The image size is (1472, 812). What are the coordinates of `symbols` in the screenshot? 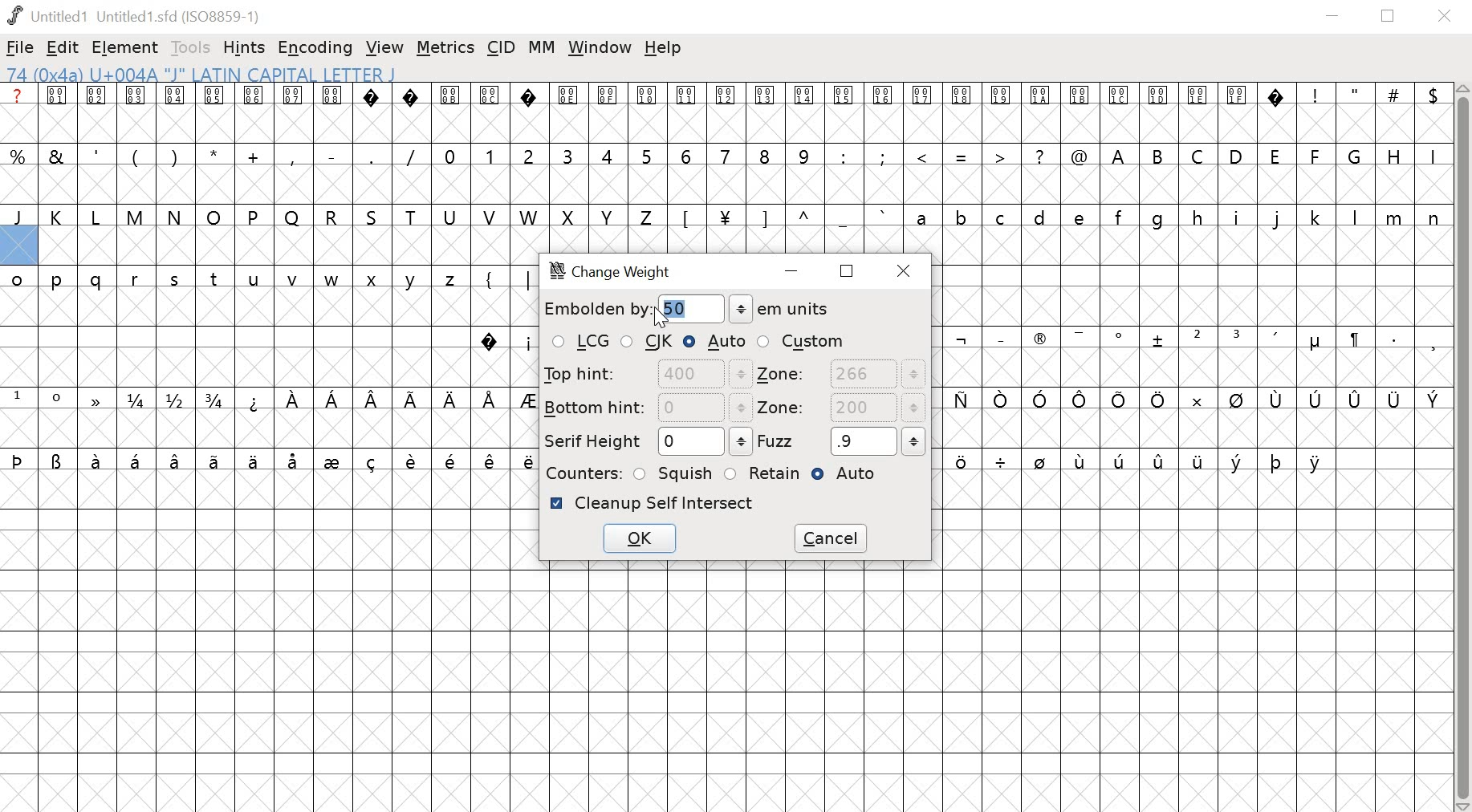 It's located at (1140, 464).